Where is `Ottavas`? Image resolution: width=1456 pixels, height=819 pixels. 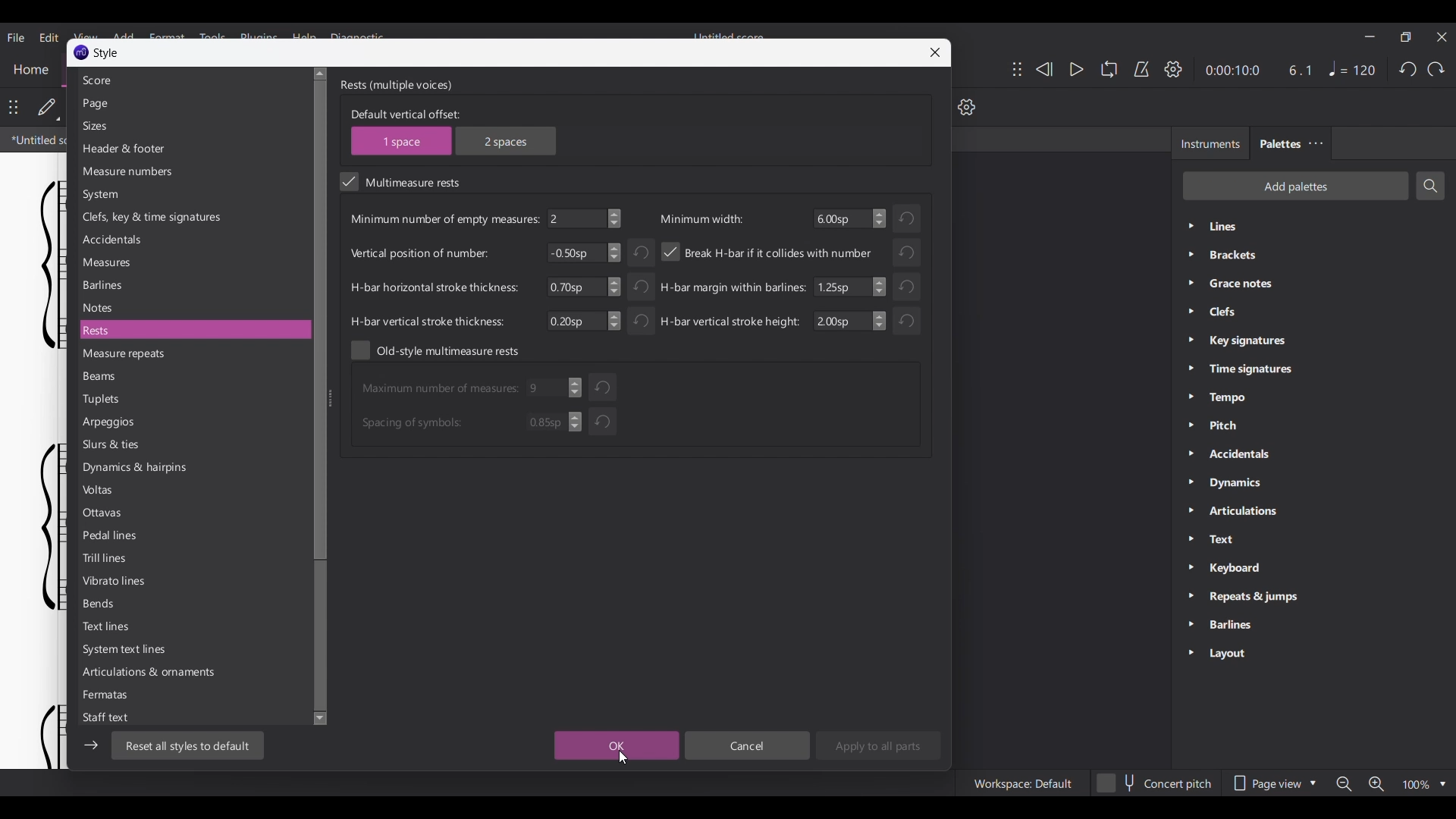 Ottavas is located at coordinates (193, 513).